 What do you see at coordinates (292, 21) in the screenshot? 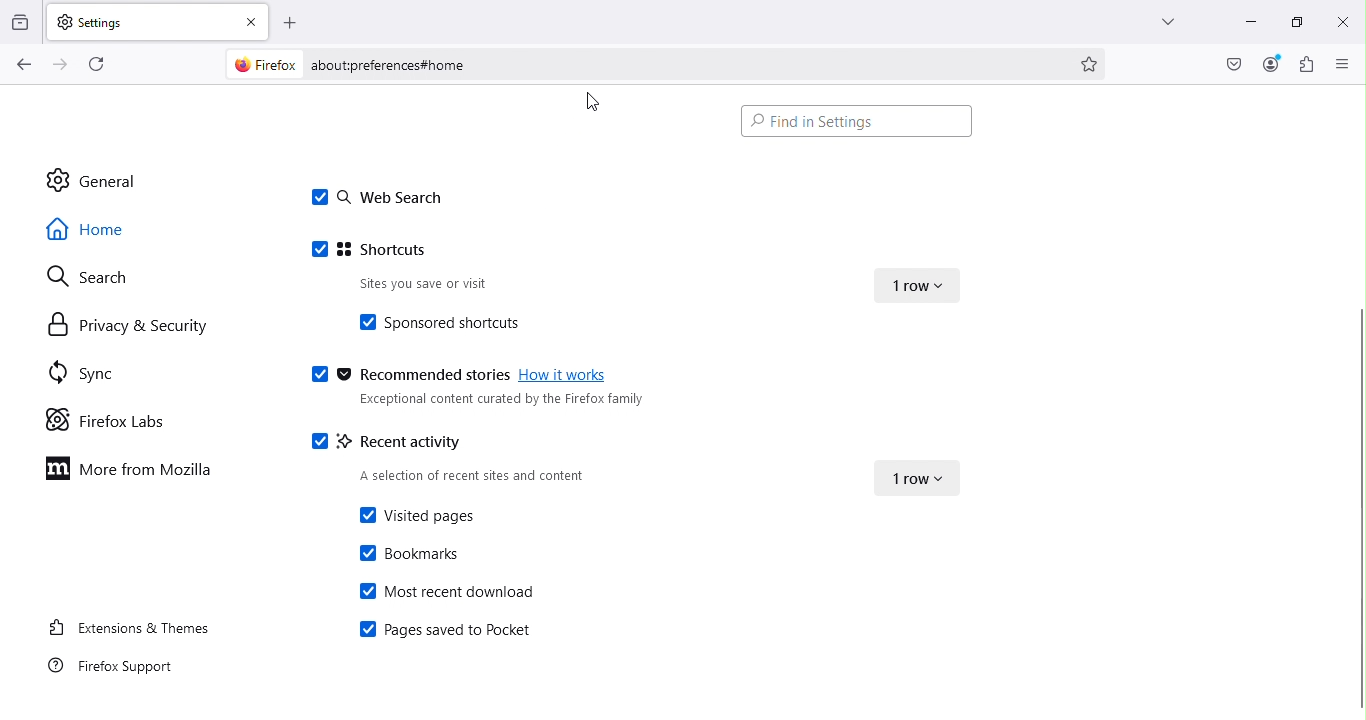
I see `Open a new tab` at bounding box center [292, 21].